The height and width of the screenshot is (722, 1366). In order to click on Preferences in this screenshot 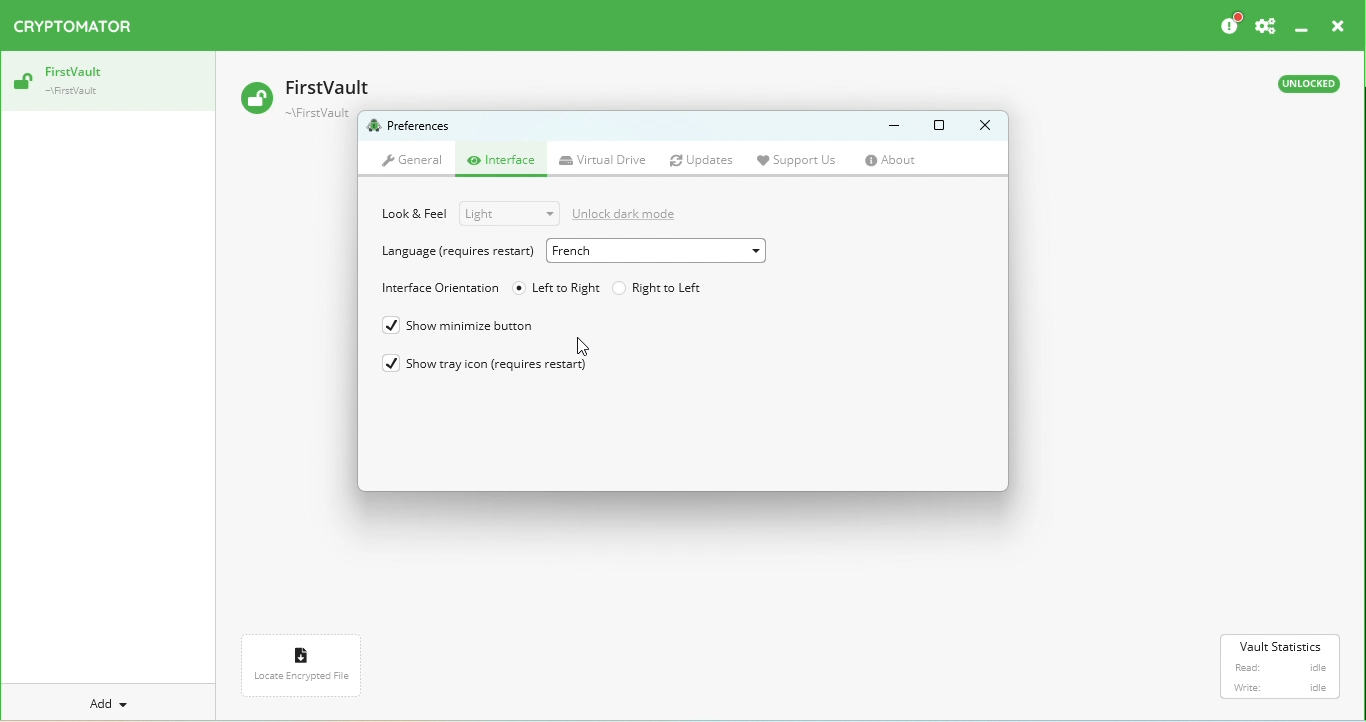, I will do `click(1266, 26)`.